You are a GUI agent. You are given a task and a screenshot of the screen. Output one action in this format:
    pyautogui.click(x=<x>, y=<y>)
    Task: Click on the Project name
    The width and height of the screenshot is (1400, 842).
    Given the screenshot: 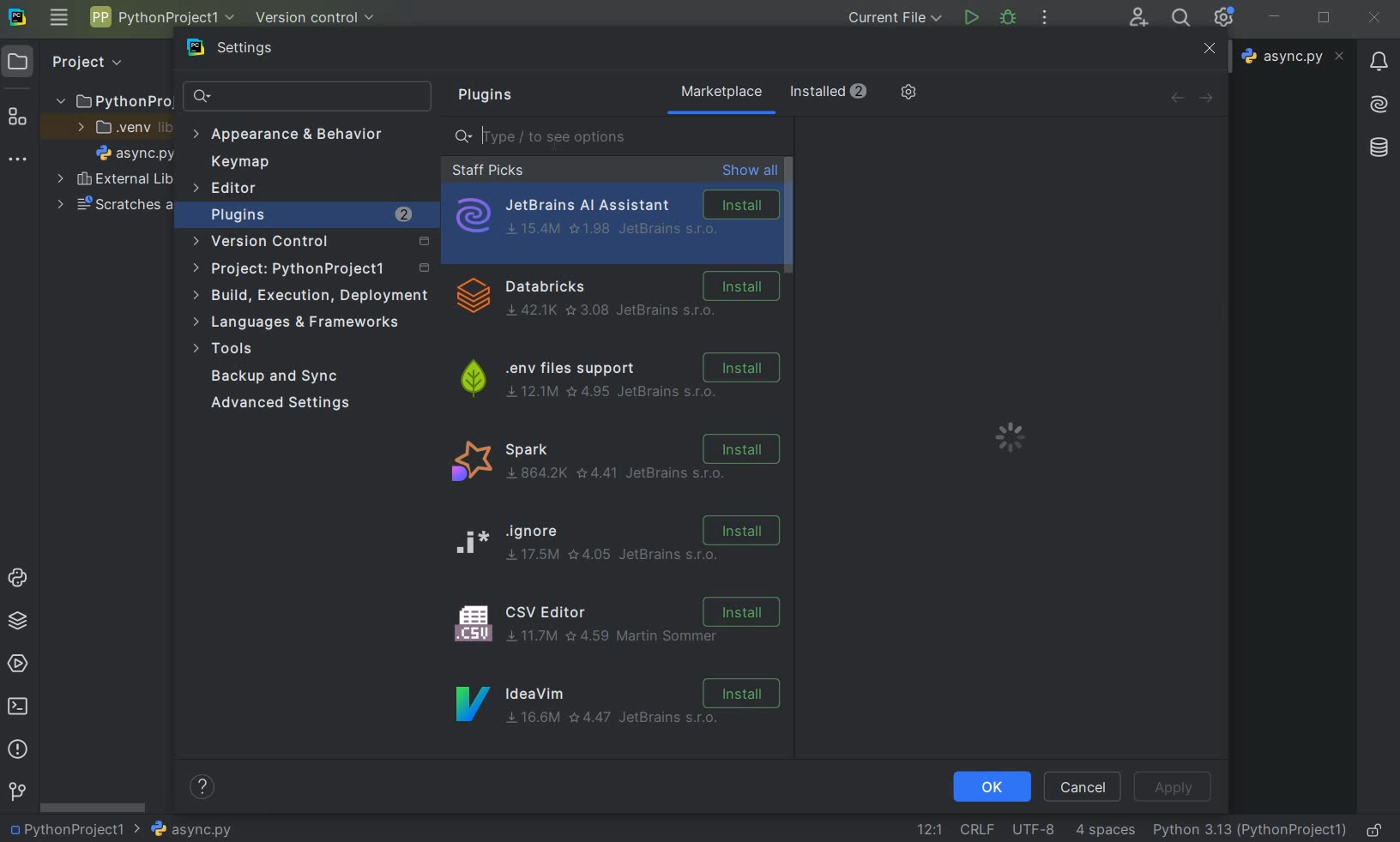 What is the action you would take?
    pyautogui.click(x=75, y=828)
    